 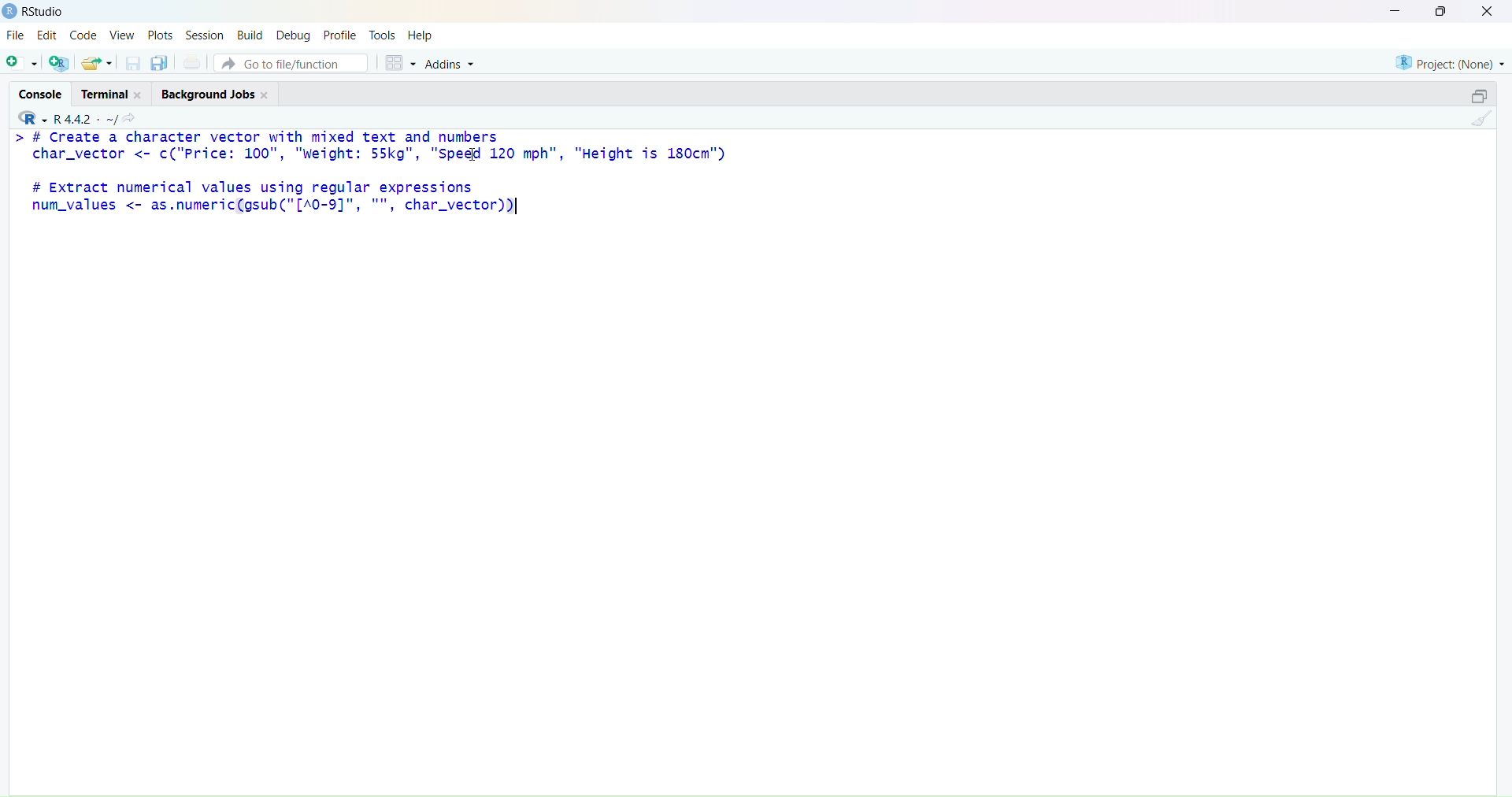 I want to click on print, so click(x=193, y=61).